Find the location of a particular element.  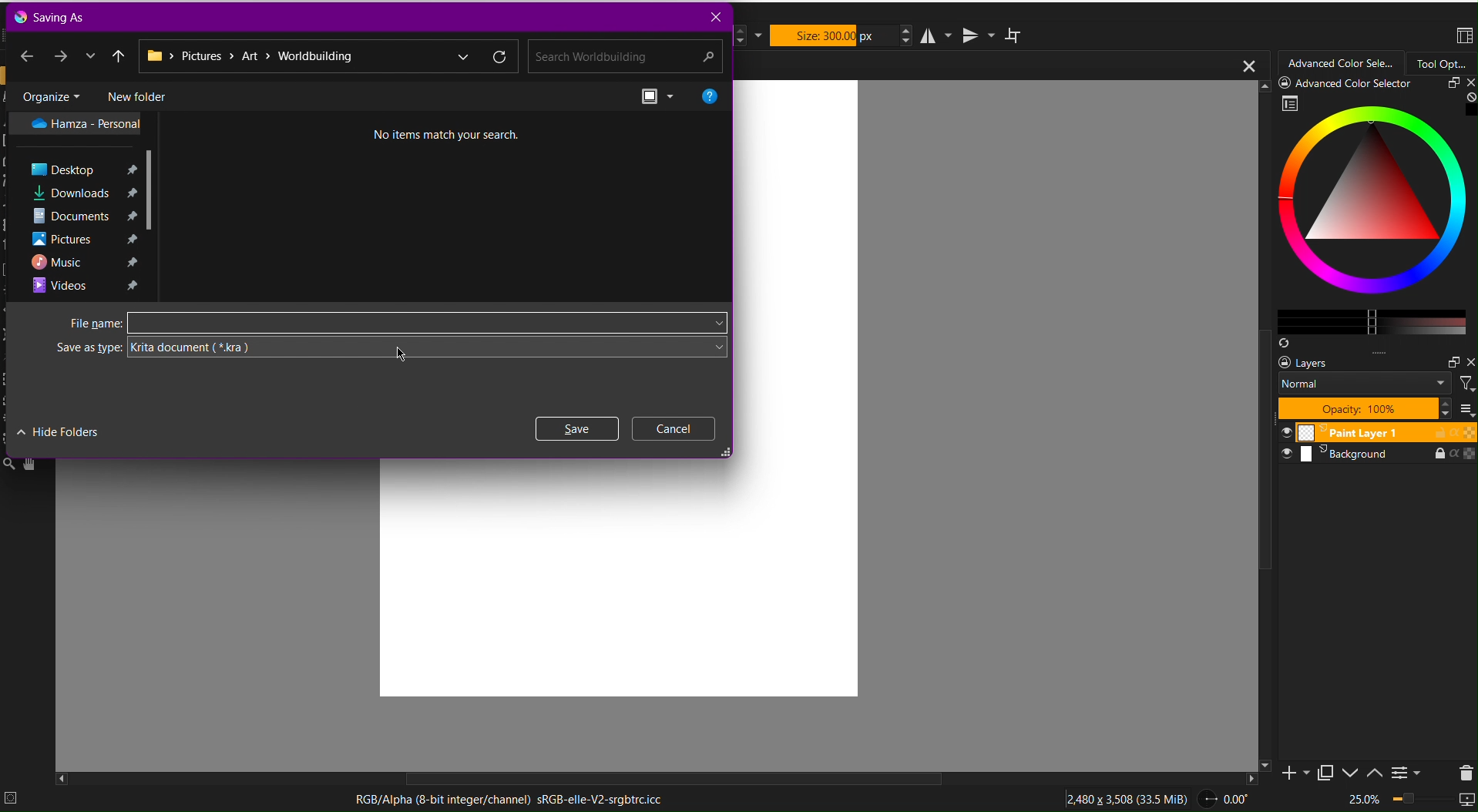

pinned is located at coordinates (133, 287).